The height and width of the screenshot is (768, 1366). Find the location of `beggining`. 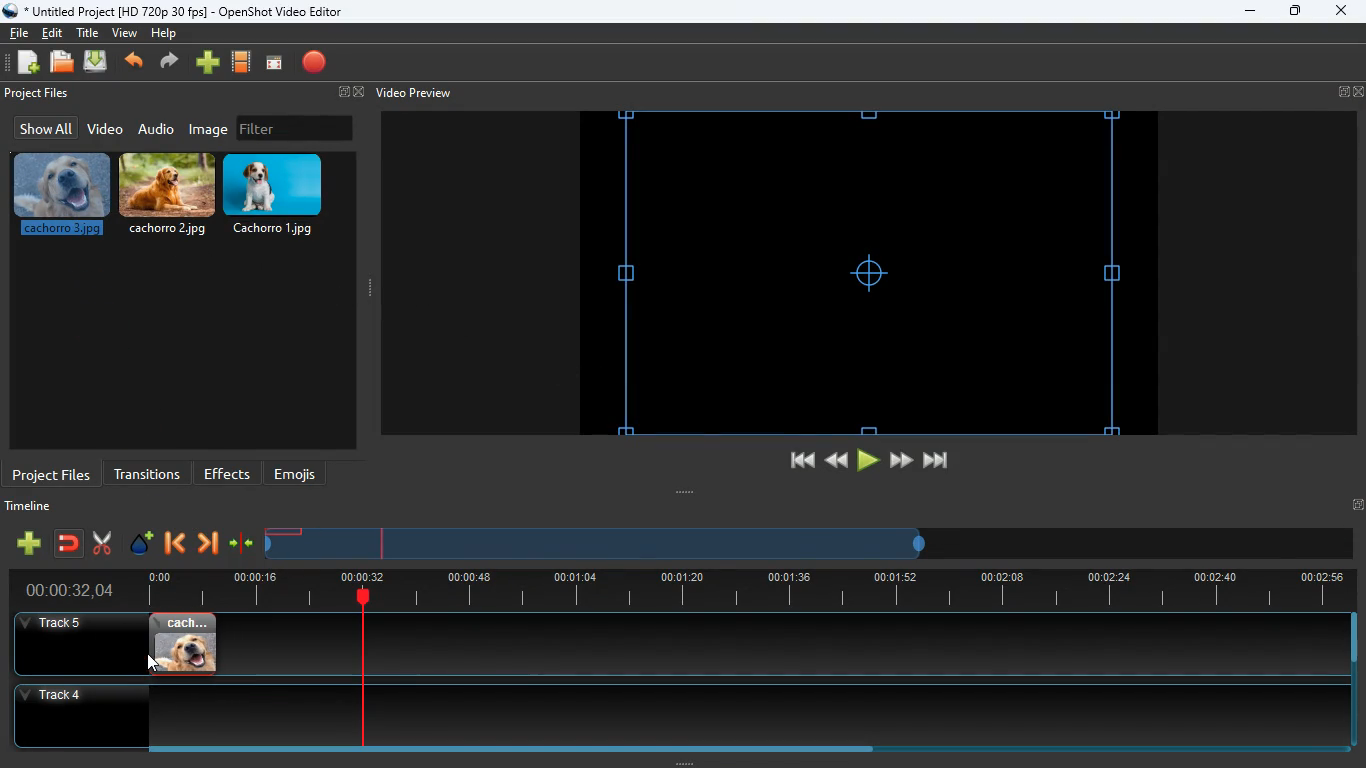

beggining is located at coordinates (793, 461).